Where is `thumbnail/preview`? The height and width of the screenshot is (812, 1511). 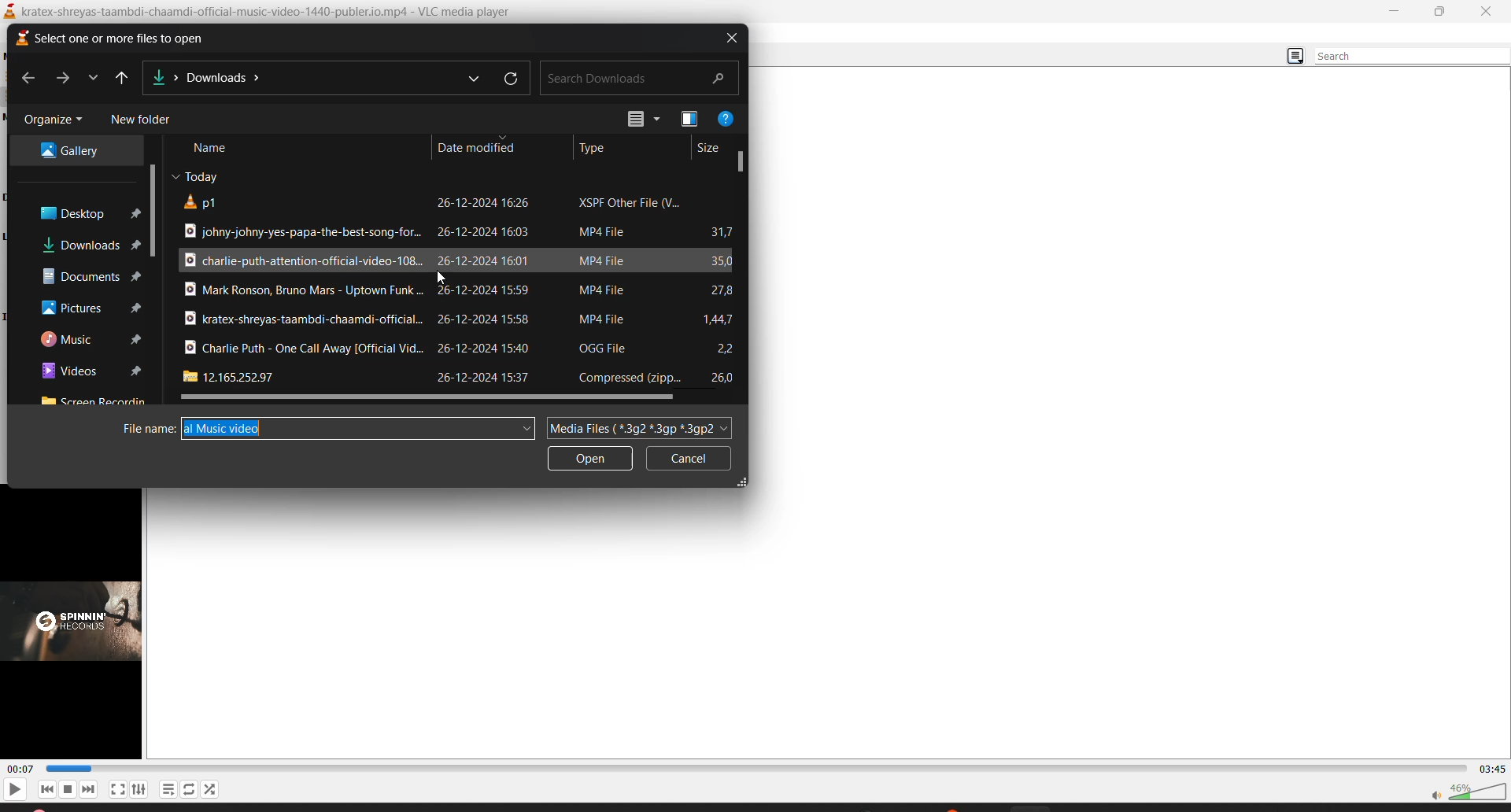 thumbnail/preview is located at coordinates (76, 622).